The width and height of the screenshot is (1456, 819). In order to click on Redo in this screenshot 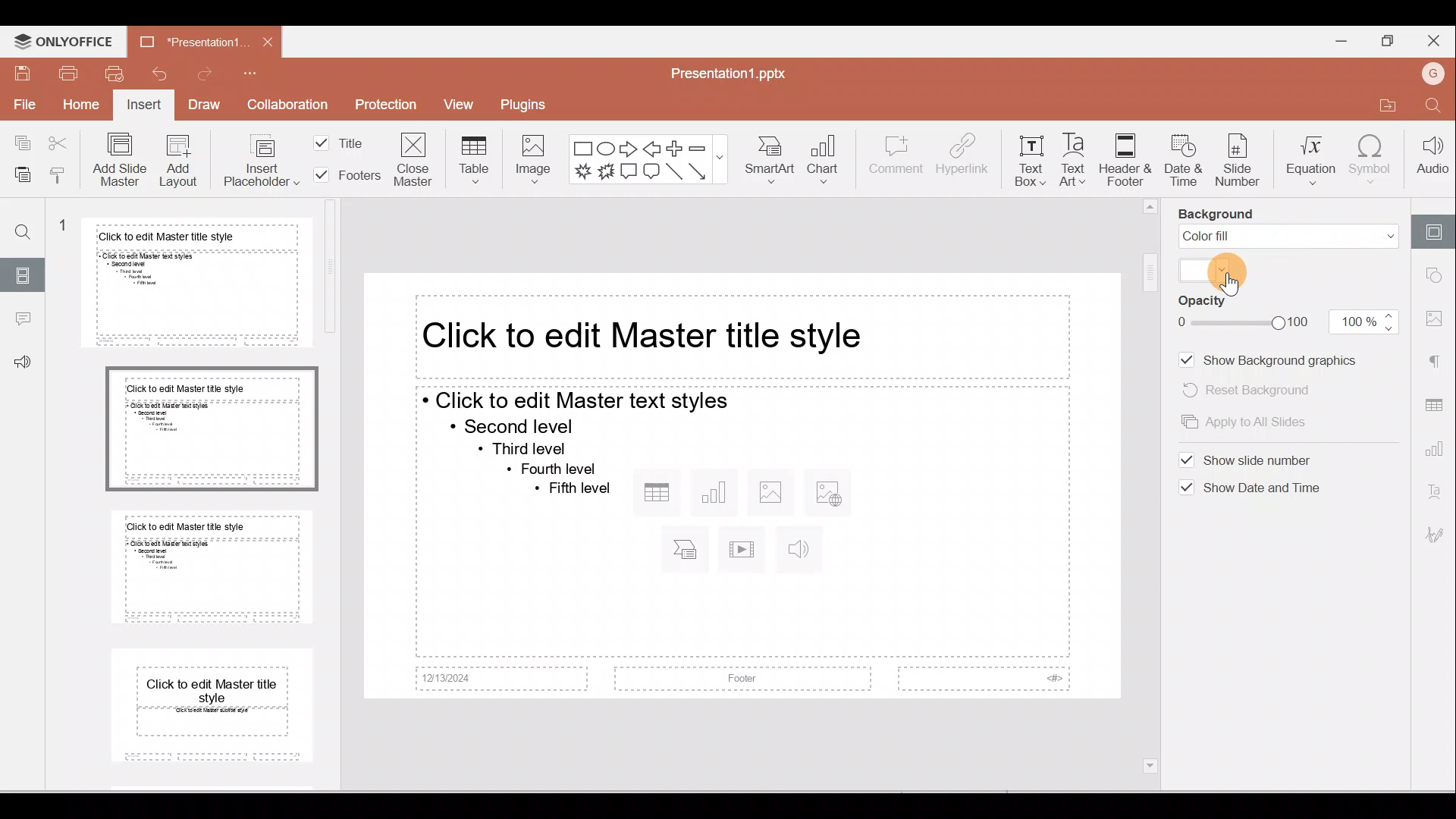, I will do `click(209, 73)`.